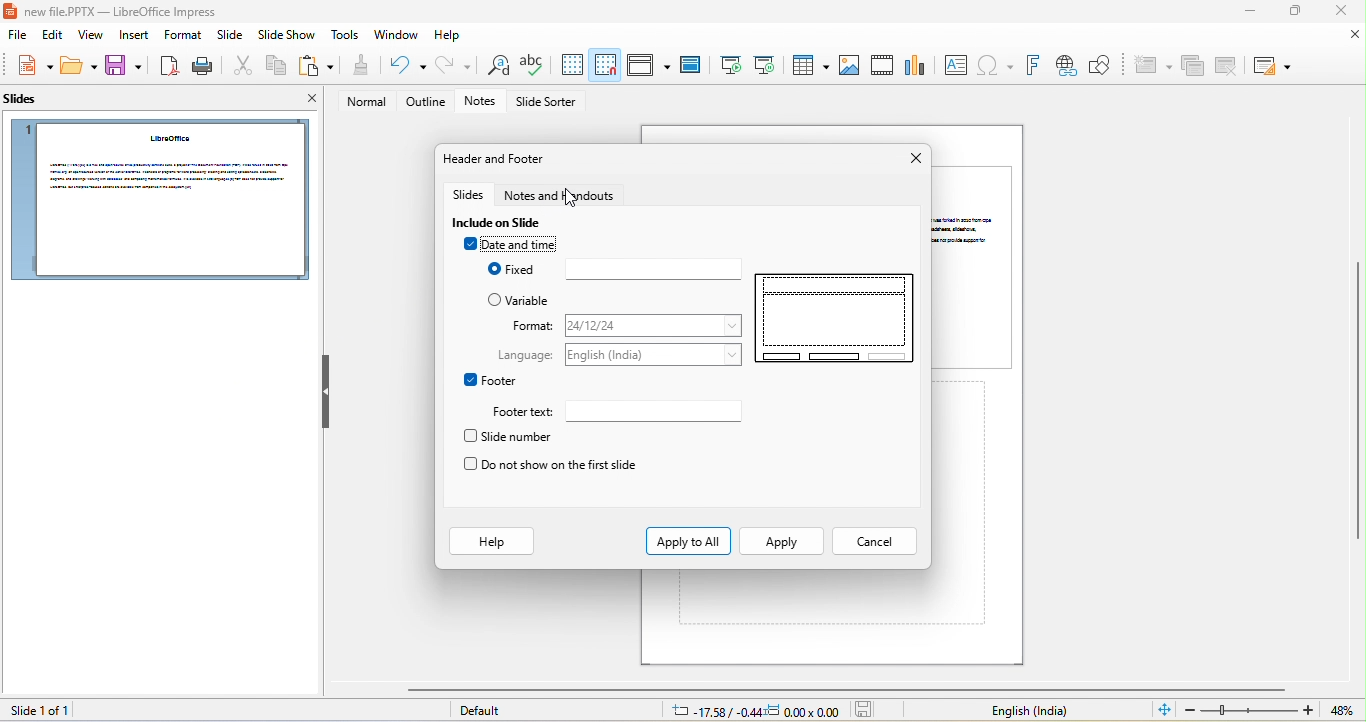 The width and height of the screenshot is (1366, 722). I want to click on footer text, so click(656, 410).